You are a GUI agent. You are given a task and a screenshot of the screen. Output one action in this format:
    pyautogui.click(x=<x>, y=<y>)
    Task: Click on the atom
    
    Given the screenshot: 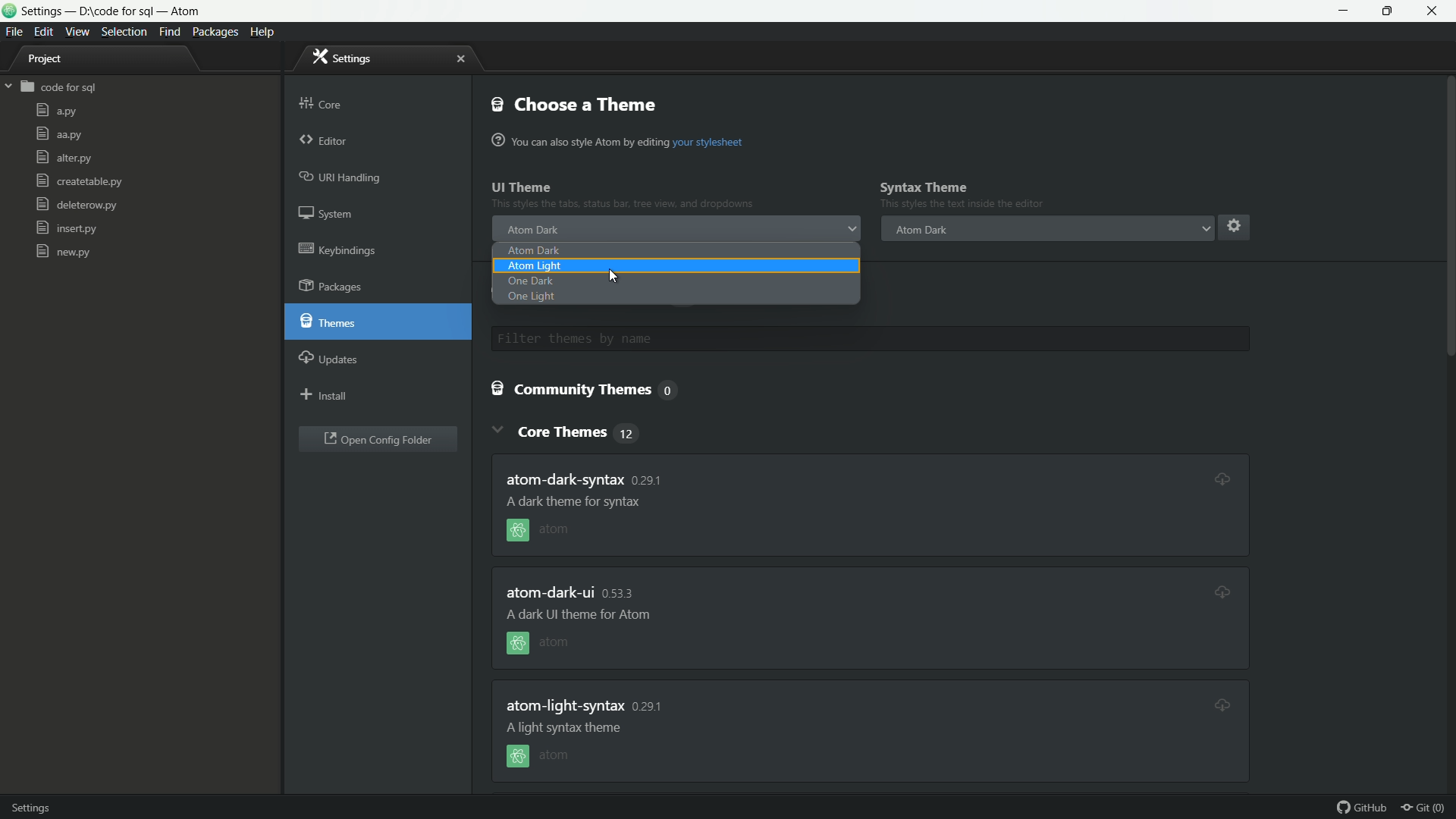 What is the action you would take?
    pyautogui.click(x=544, y=756)
    